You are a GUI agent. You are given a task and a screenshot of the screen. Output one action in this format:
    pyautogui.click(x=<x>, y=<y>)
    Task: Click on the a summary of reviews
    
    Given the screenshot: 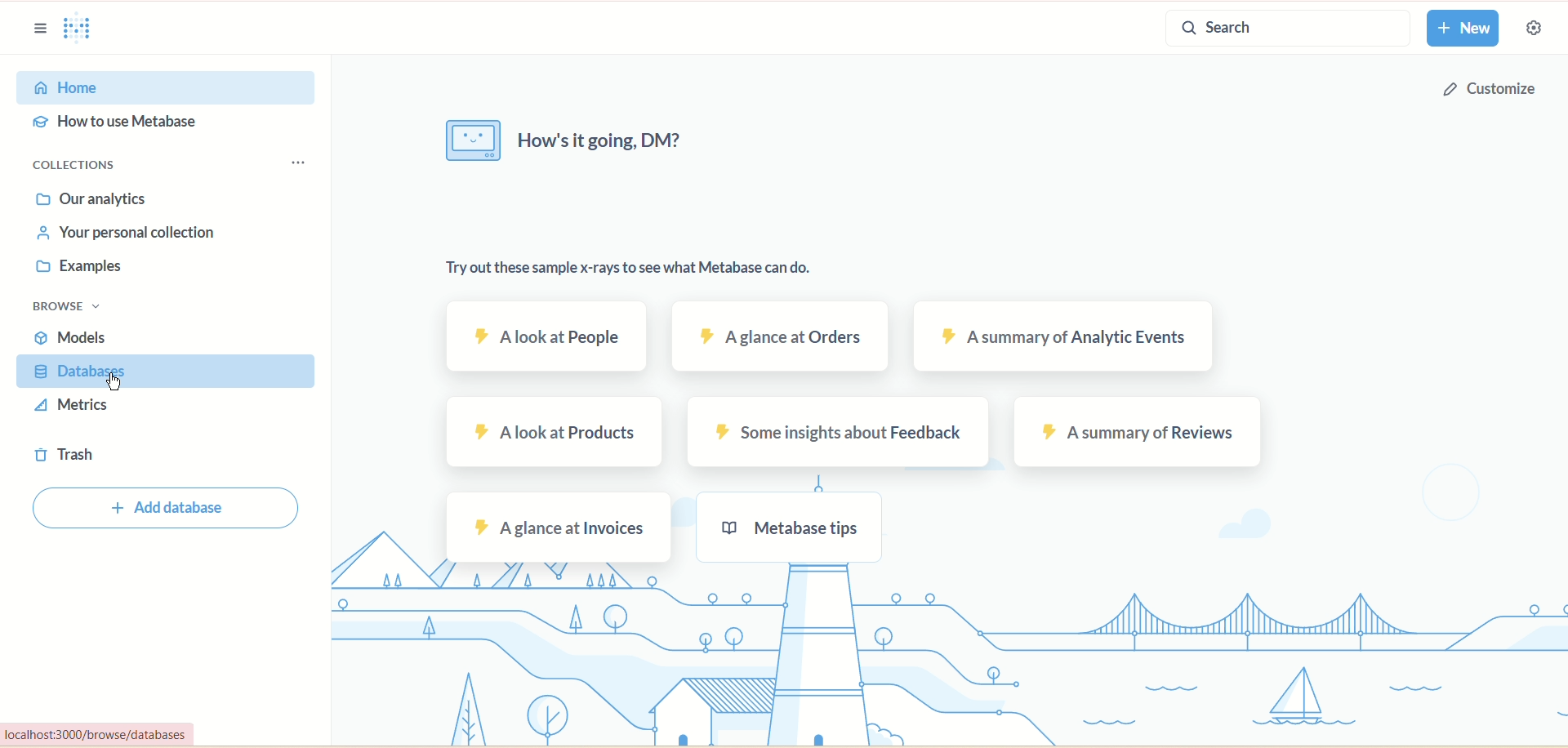 What is the action you would take?
    pyautogui.click(x=1138, y=430)
    